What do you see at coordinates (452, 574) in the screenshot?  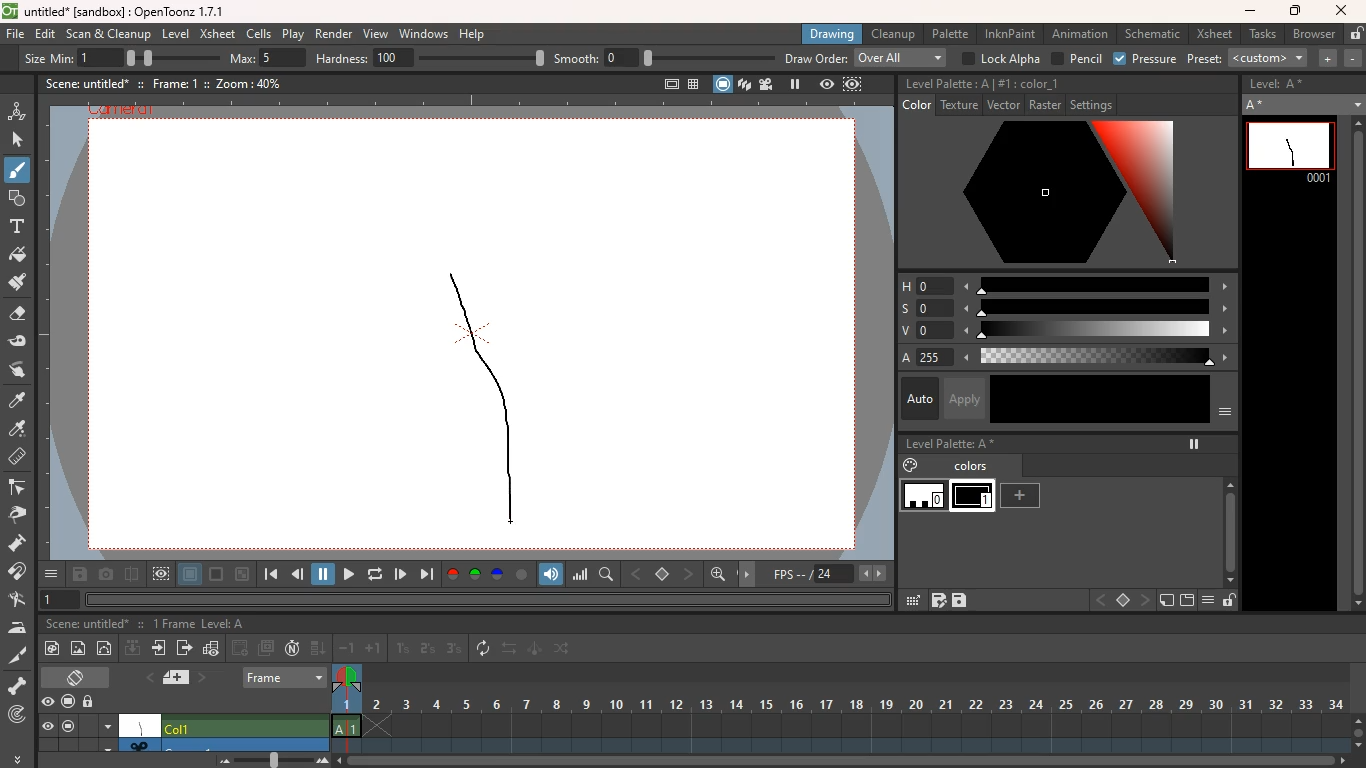 I see `red` at bounding box center [452, 574].